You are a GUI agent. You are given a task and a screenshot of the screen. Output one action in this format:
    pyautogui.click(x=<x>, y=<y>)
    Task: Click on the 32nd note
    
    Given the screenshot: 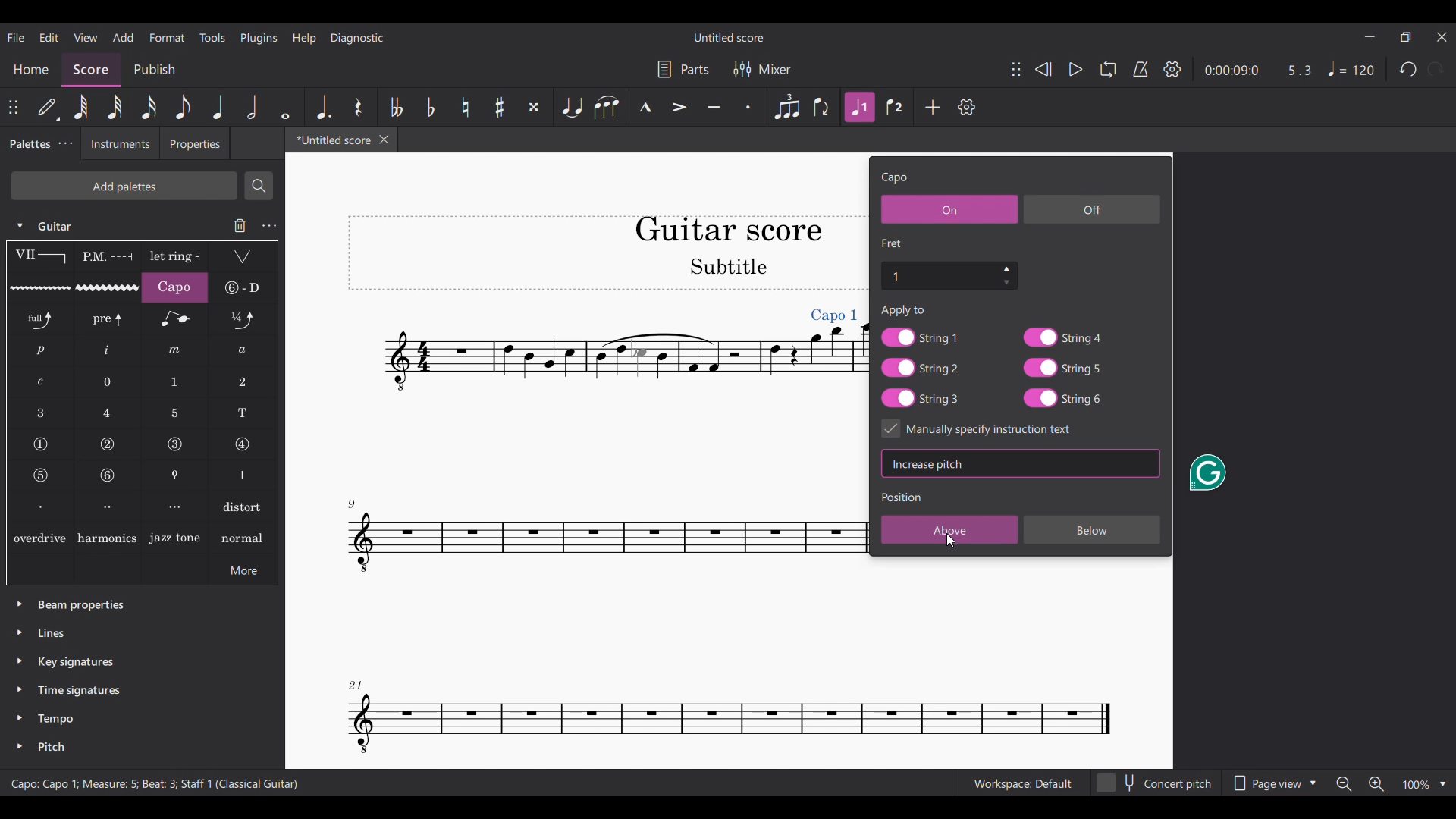 What is the action you would take?
    pyautogui.click(x=115, y=107)
    